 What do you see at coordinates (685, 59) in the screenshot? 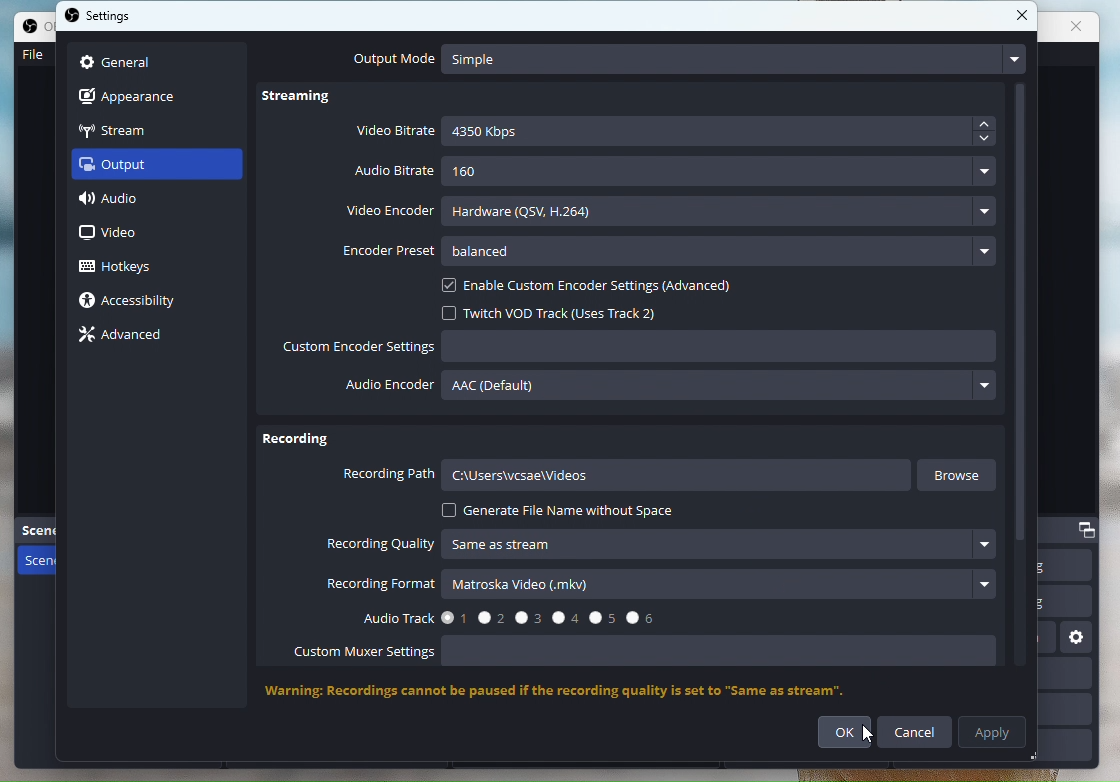
I see `Output Mode` at bounding box center [685, 59].